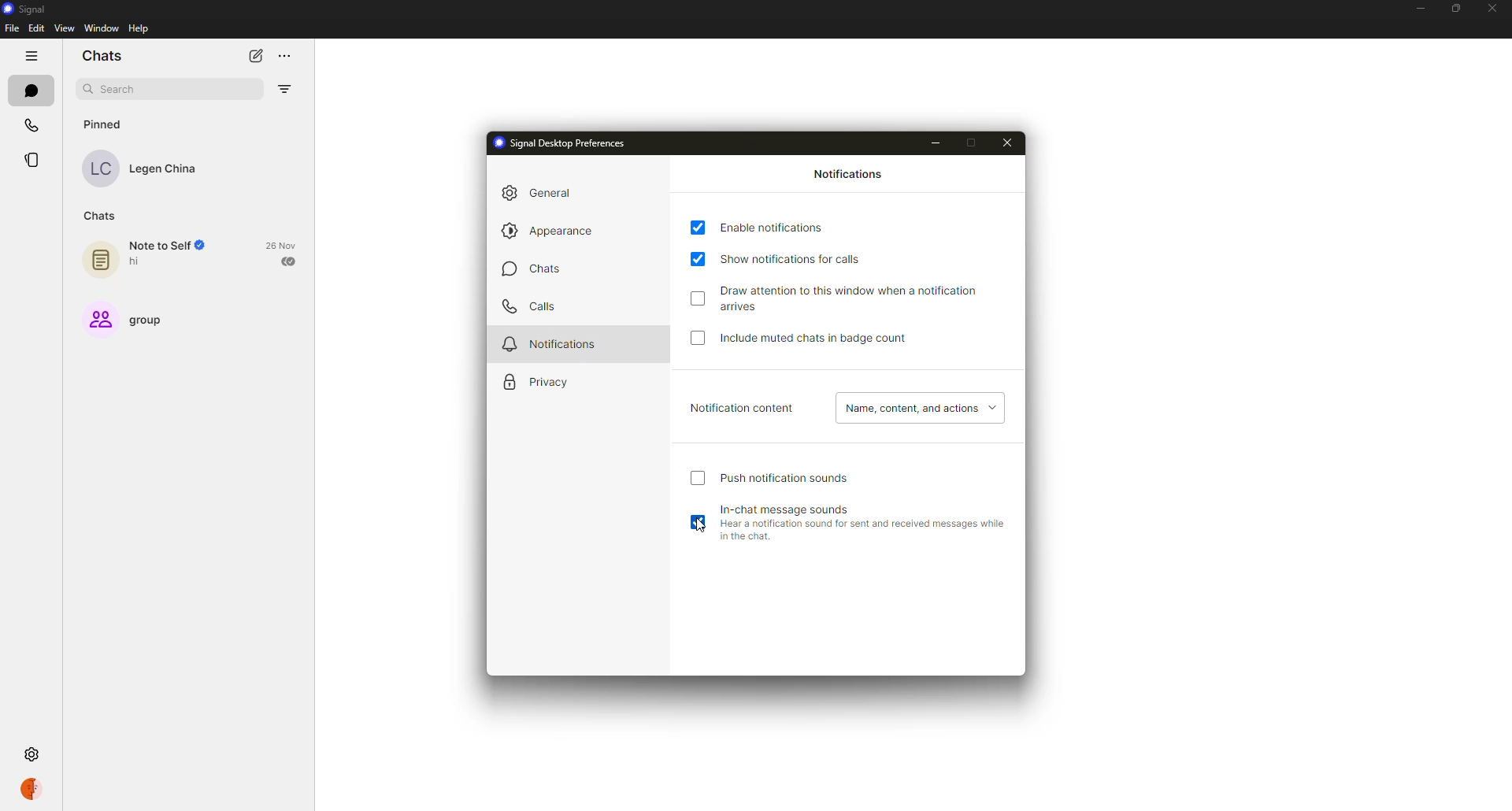 This screenshot has width=1512, height=811. What do you see at coordinates (548, 192) in the screenshot?
I see `general` at bounding box center [548, 192].